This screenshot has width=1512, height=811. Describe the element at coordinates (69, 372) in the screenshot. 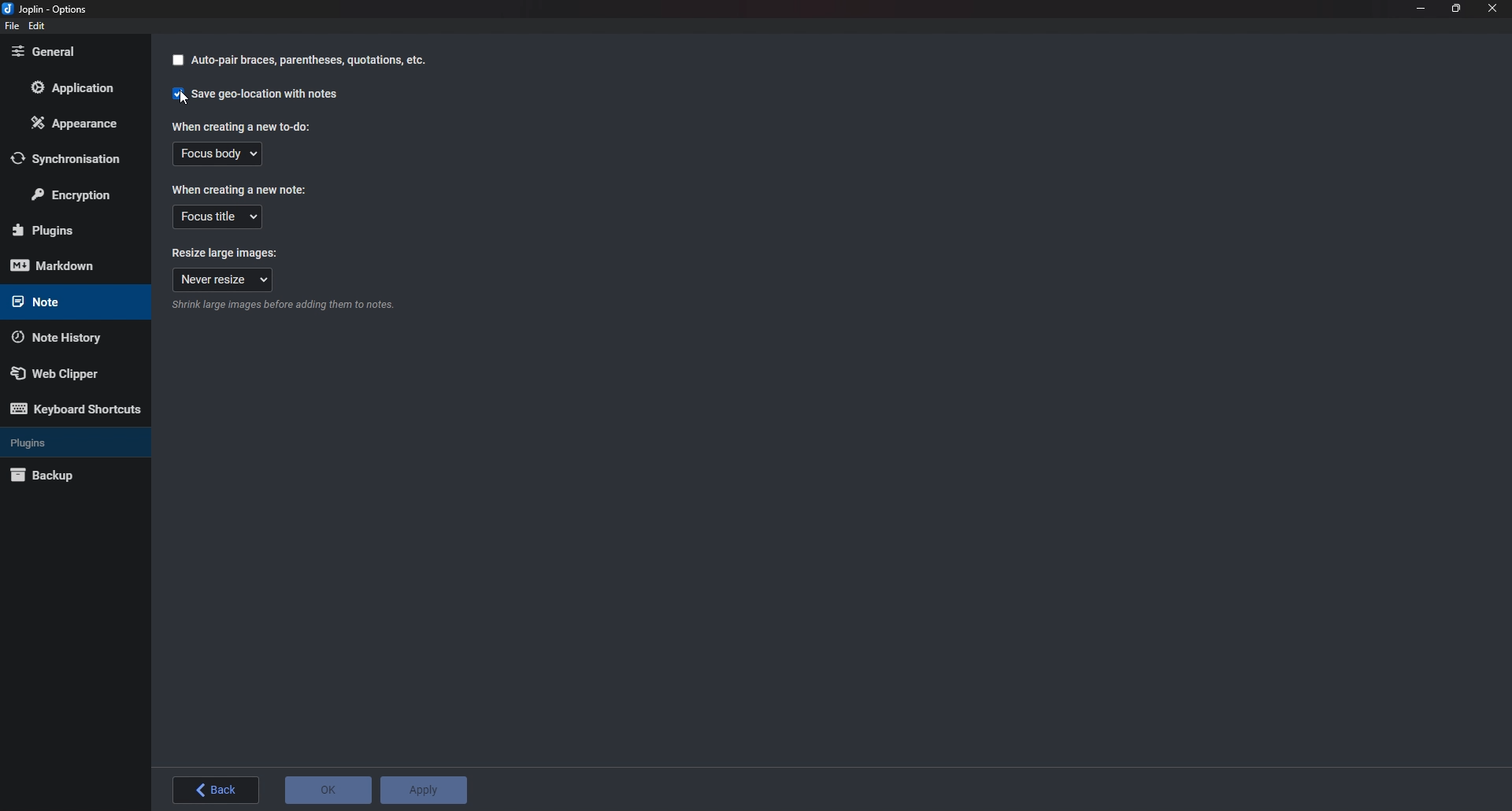

I see `Web Clipper` at that location.